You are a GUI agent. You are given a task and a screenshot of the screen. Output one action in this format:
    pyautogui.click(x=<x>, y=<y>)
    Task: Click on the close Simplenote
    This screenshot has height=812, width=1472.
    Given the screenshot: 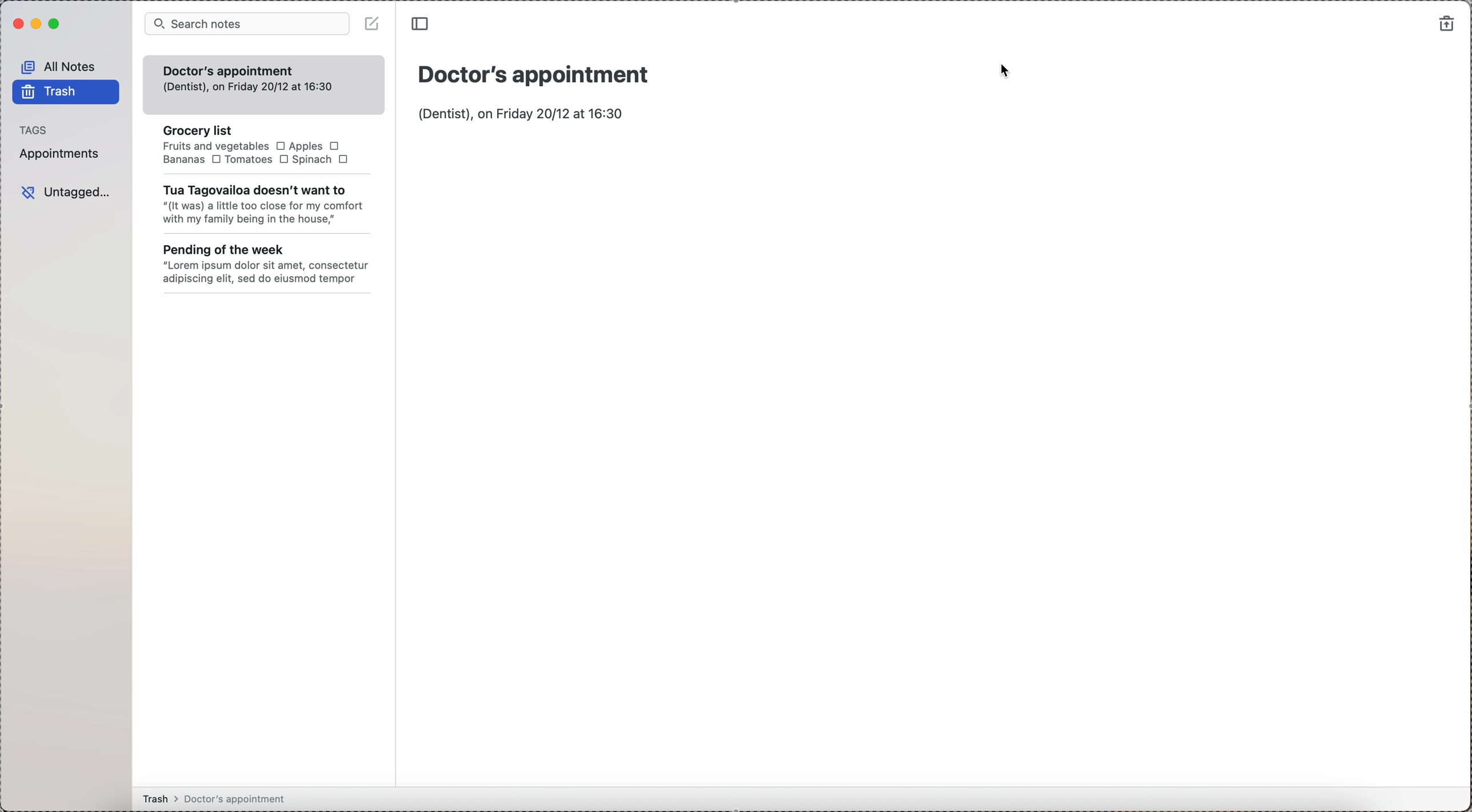 What is the action you would take?
    pyautogui.click(x=18, y=23)
    